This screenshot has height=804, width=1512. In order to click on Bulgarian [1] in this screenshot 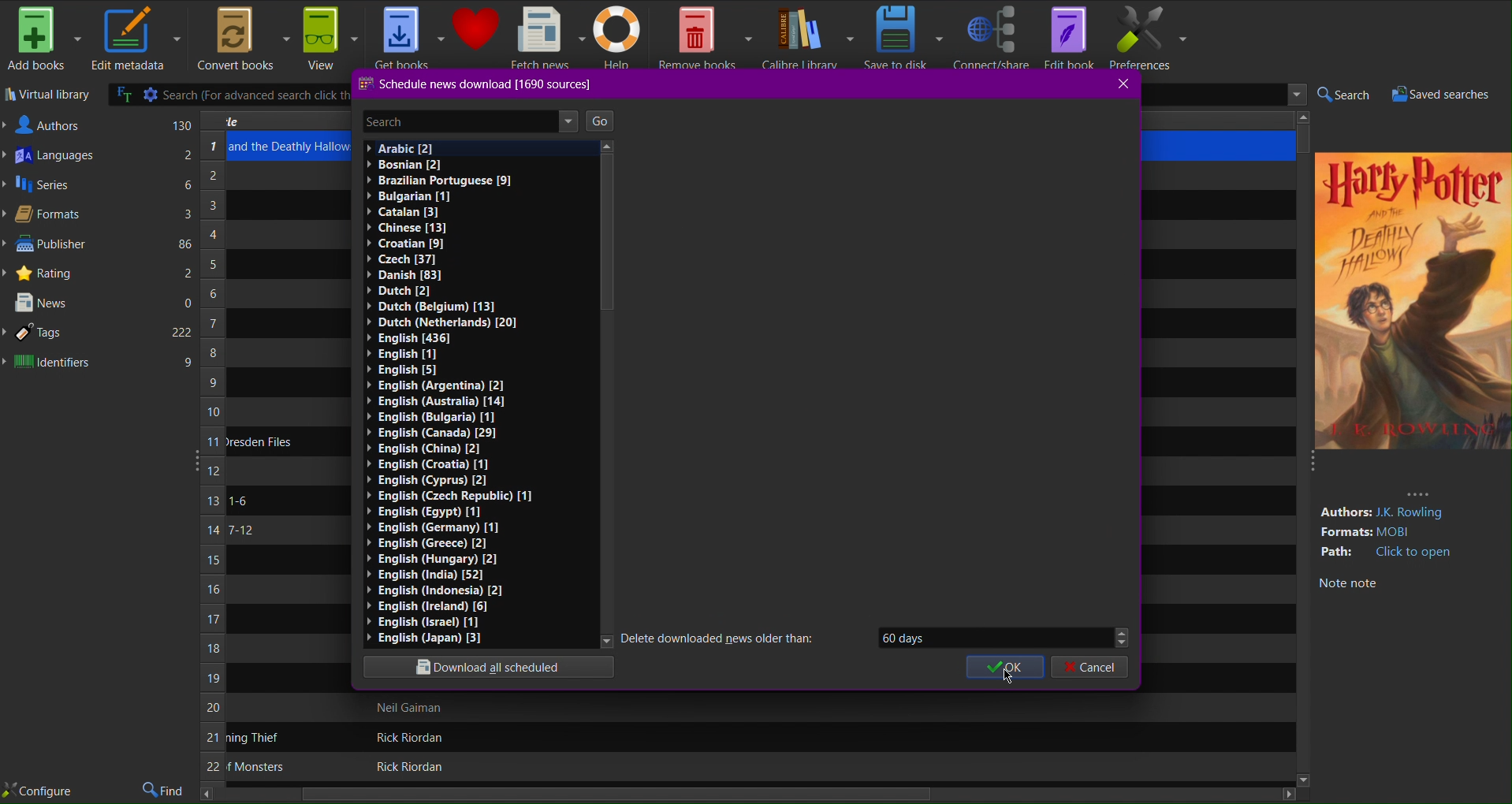, I will do `click(409, 196)`.